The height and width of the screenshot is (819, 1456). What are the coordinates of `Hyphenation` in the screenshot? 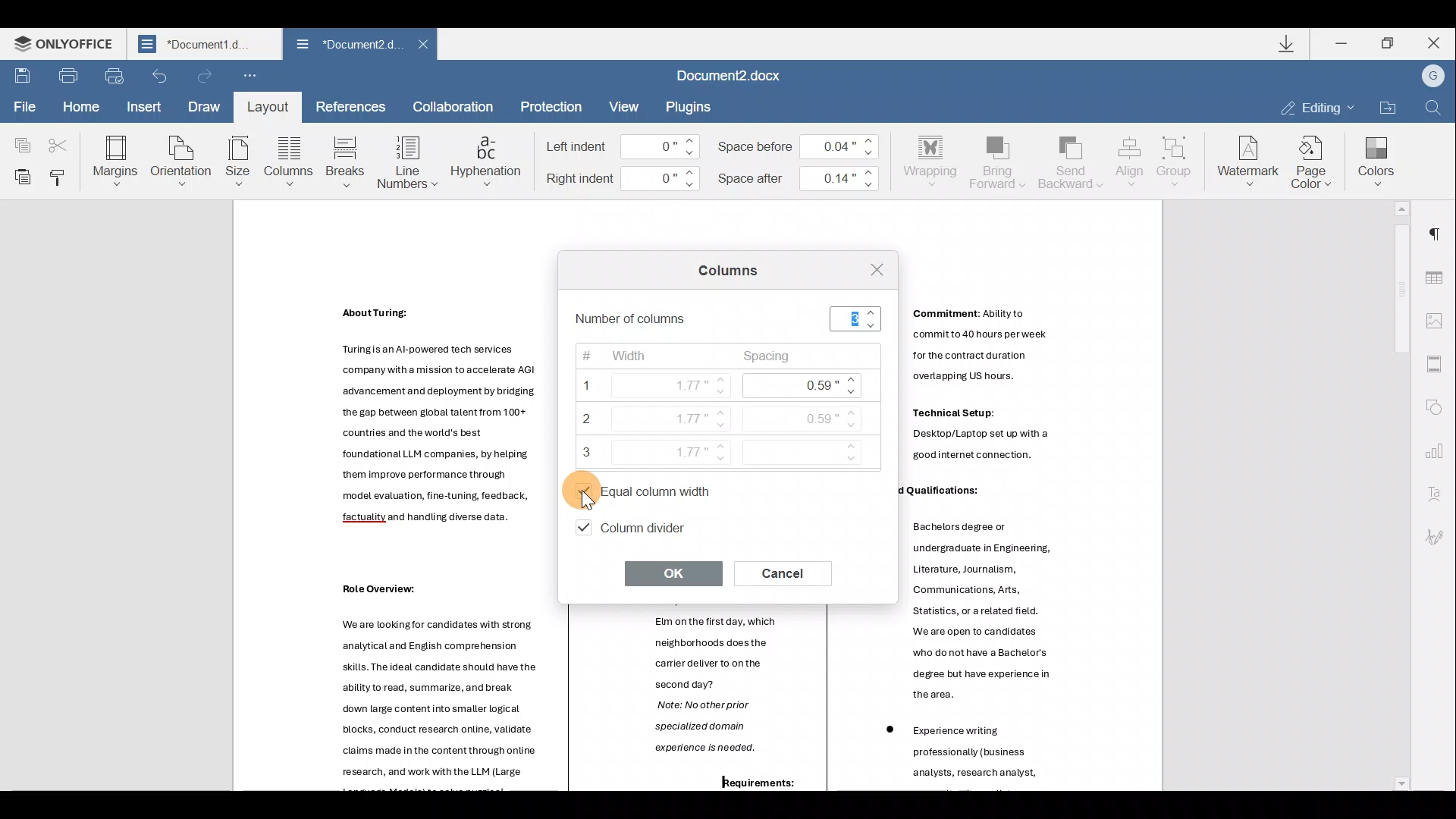 It's located at (487, 158).